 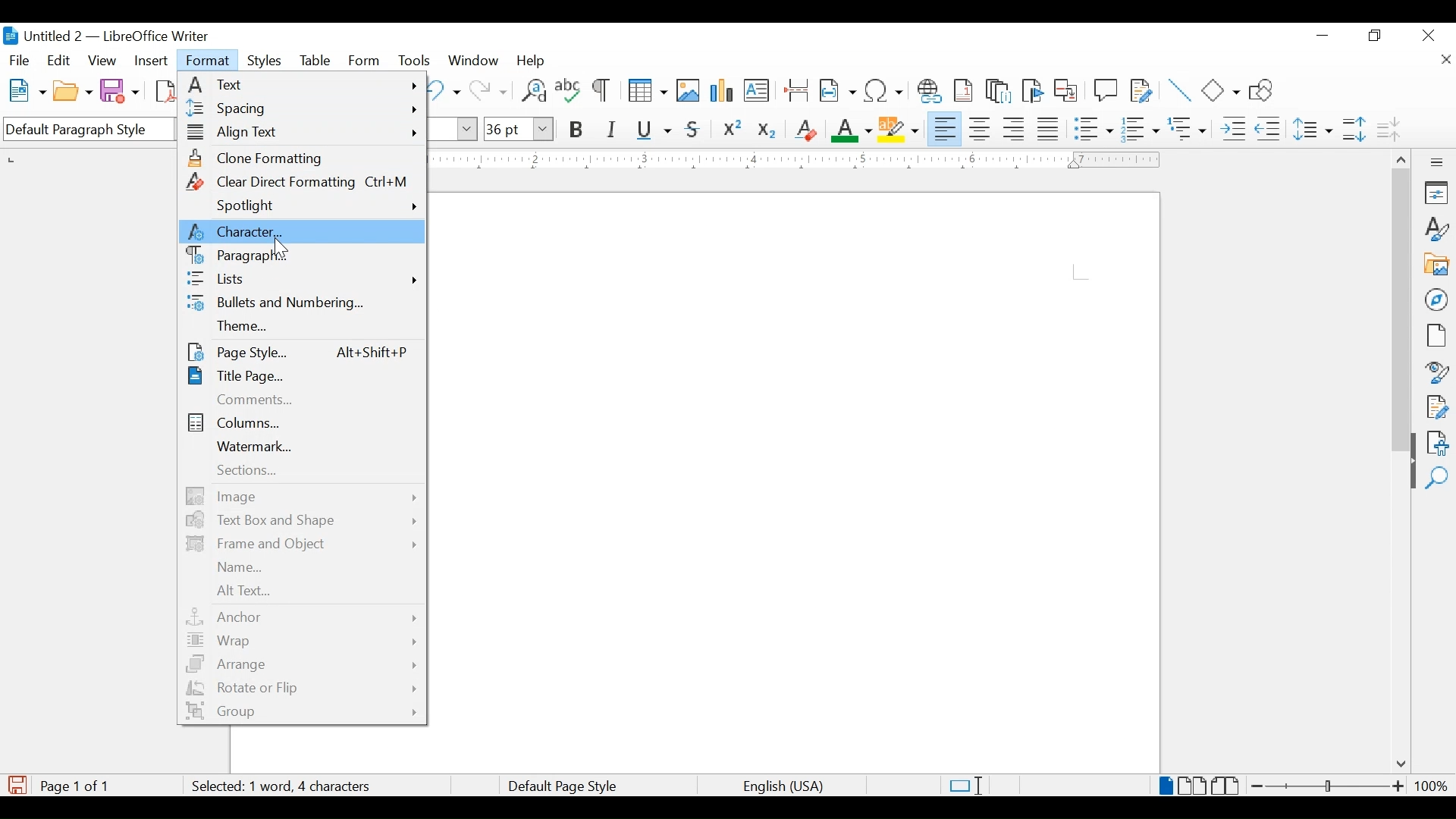 I want to click on page style, so click(x=238, y=351).